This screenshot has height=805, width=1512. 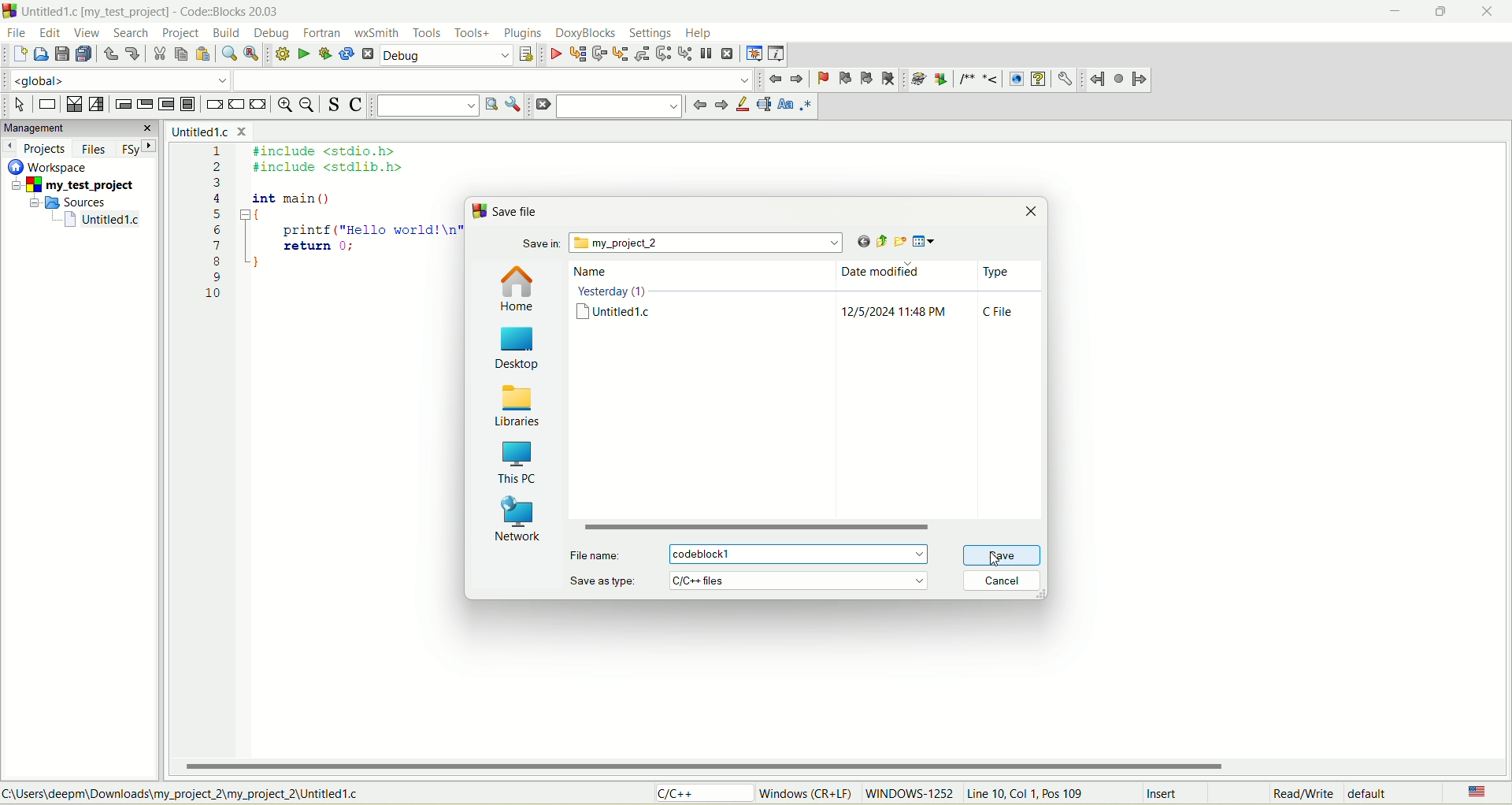 What do you see at coordinates (776, 80) in the screenshot?
I see `jump back` at bounding box center [776, 80].